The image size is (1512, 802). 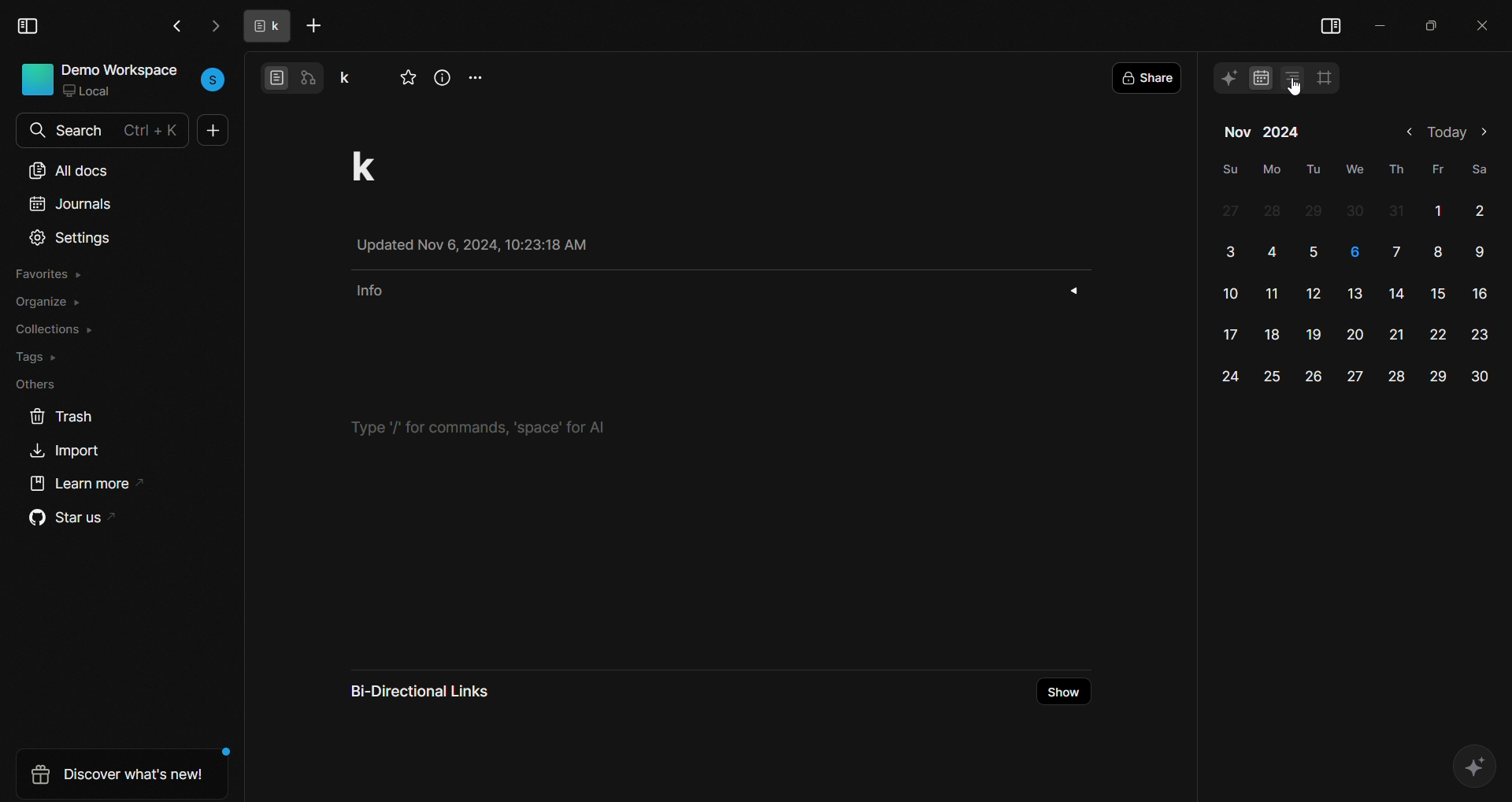 I want to click on bi-directional links, so click(x=434, y=689).